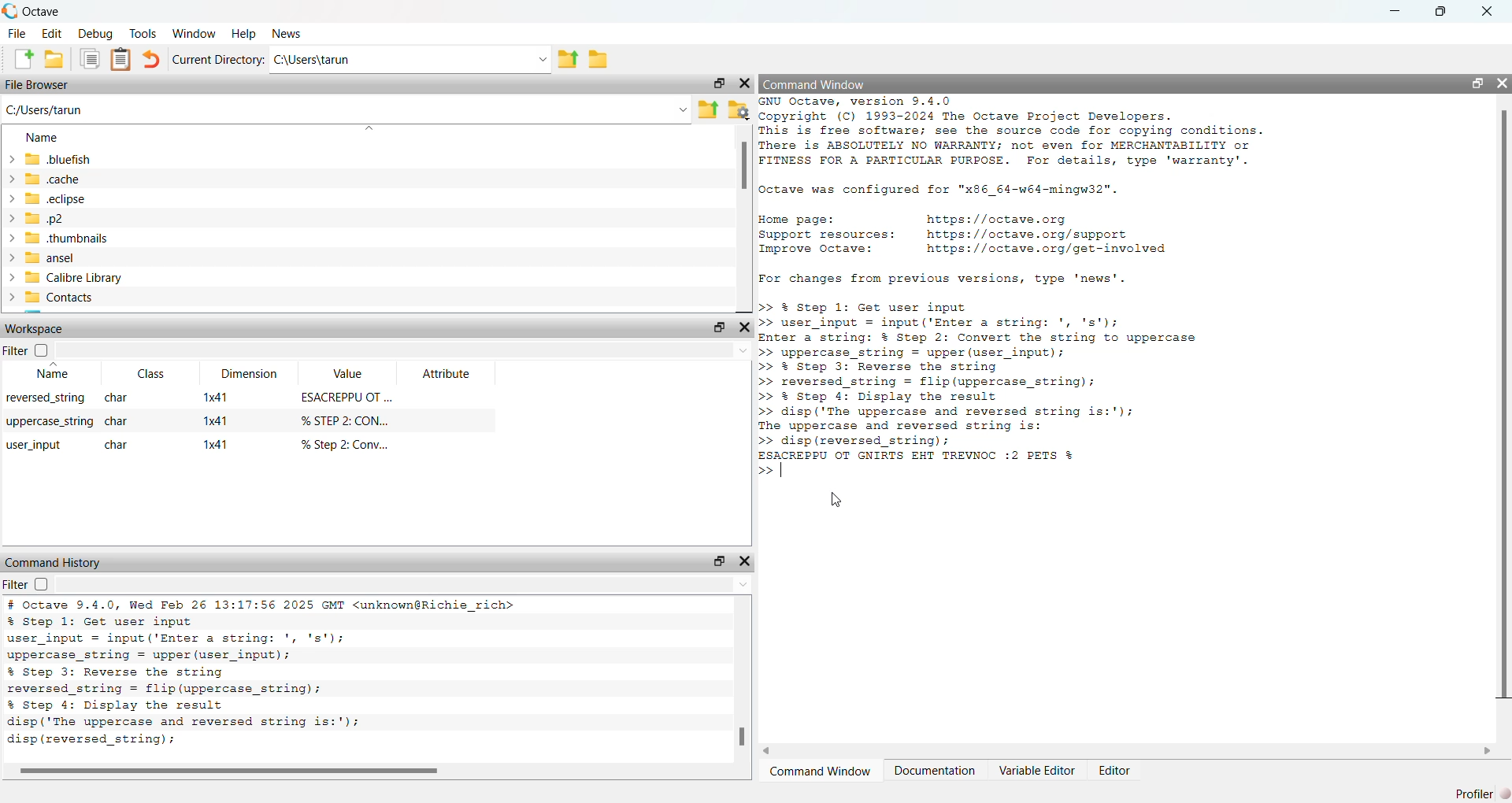 This screenshot has height=803, width=1512. What do you see at coordinates (49, 424) in the screenshot?
I see `uppercase_string` at bounding box center [49, 424].